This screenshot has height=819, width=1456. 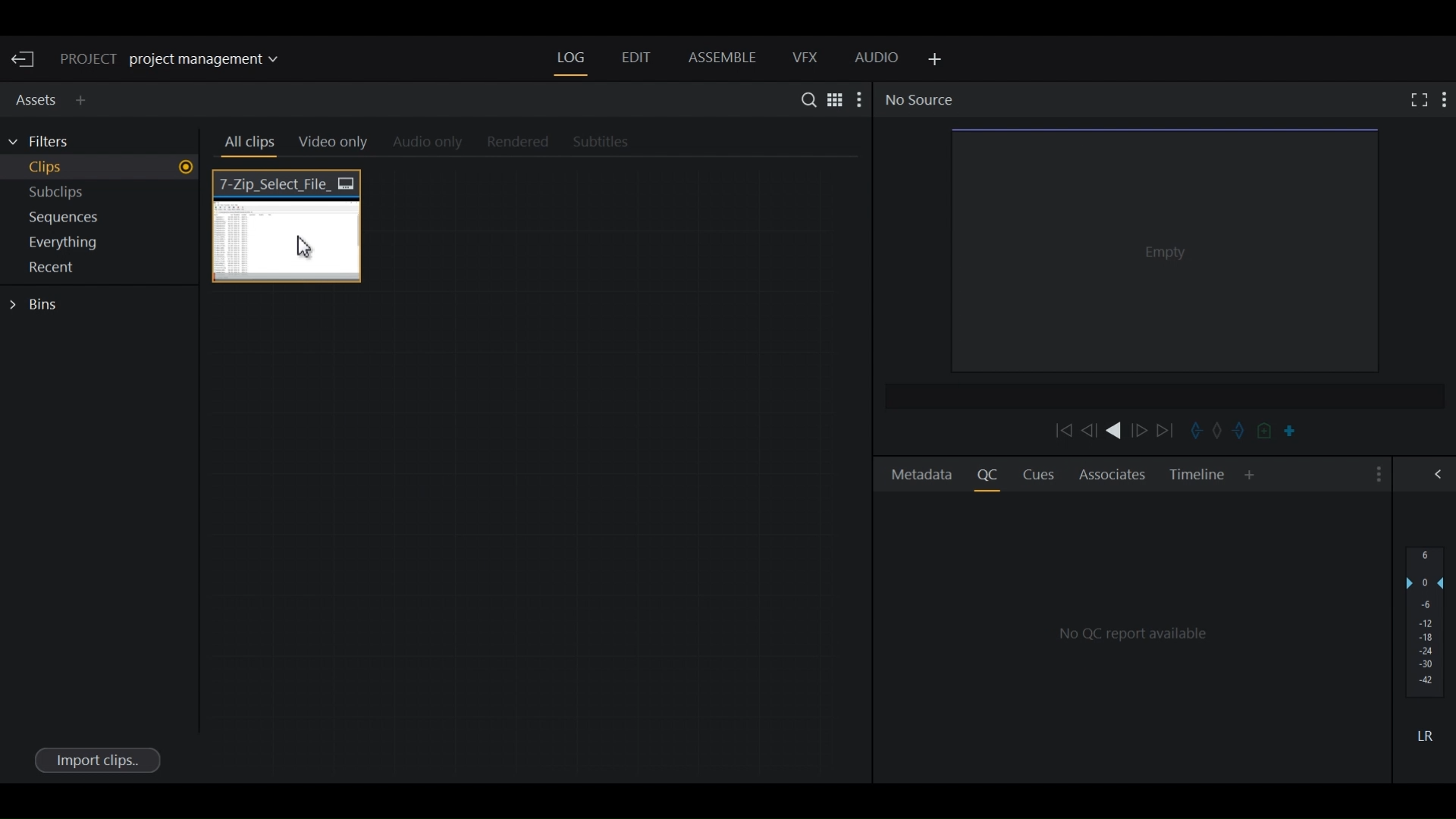 What do you see at coordinates (1416, 99) in the screenshot?
I see `Fullscreen` at bounding box center [1416, 99].